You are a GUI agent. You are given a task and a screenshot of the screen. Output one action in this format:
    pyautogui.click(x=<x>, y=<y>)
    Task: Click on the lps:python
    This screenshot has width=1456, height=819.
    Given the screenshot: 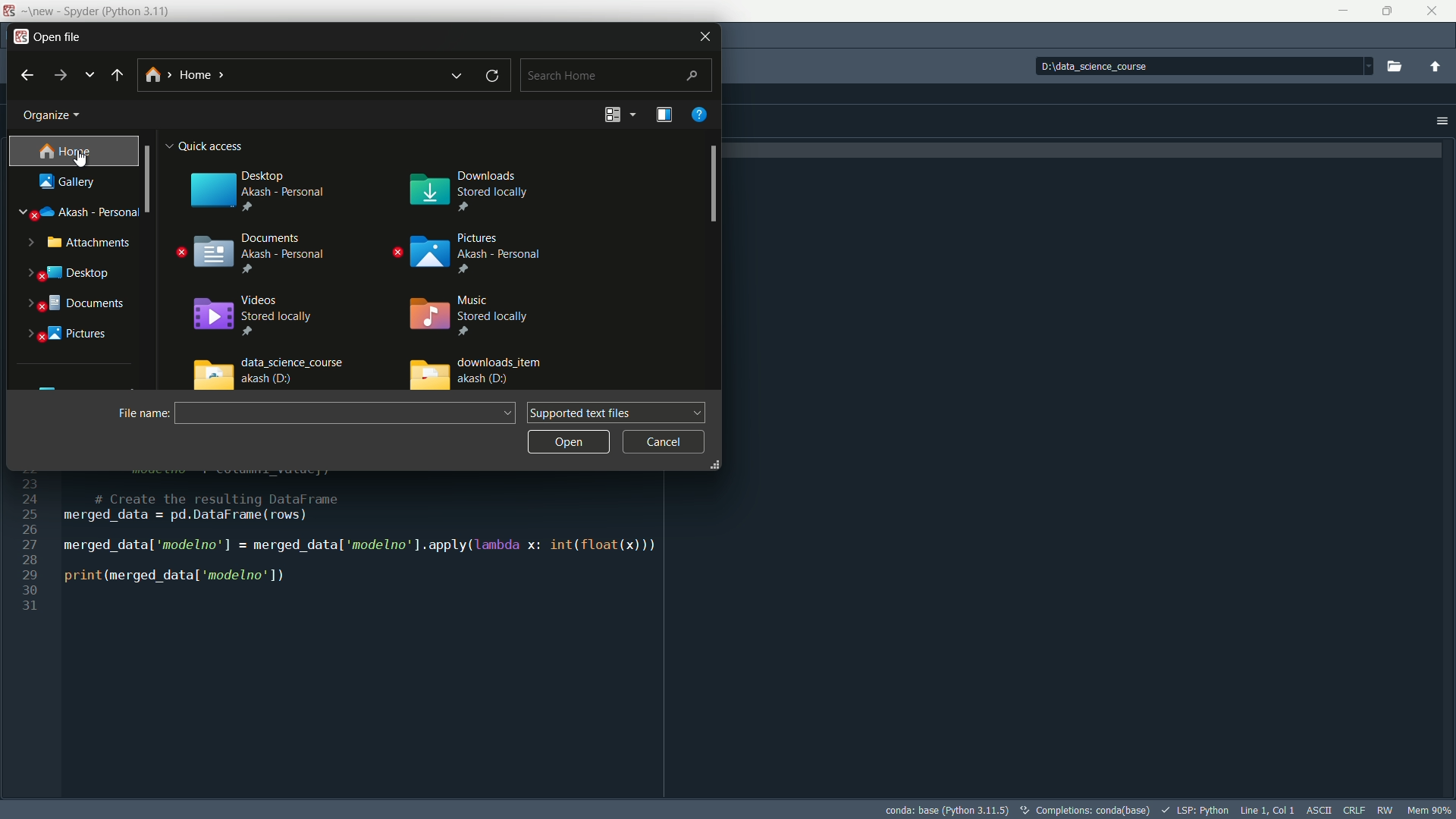 What is the action you would take?
    pyautogui.click(x=1194, y=810)
    